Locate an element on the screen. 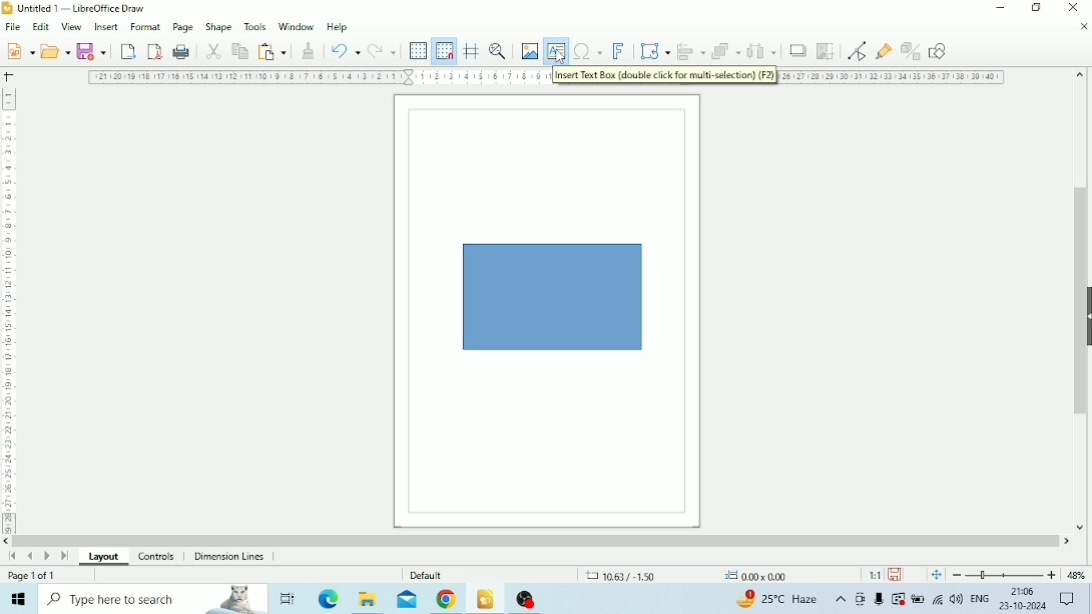 The width and height of the screenshot is (1092, 614). Cut is located at coordinates (214, 51).